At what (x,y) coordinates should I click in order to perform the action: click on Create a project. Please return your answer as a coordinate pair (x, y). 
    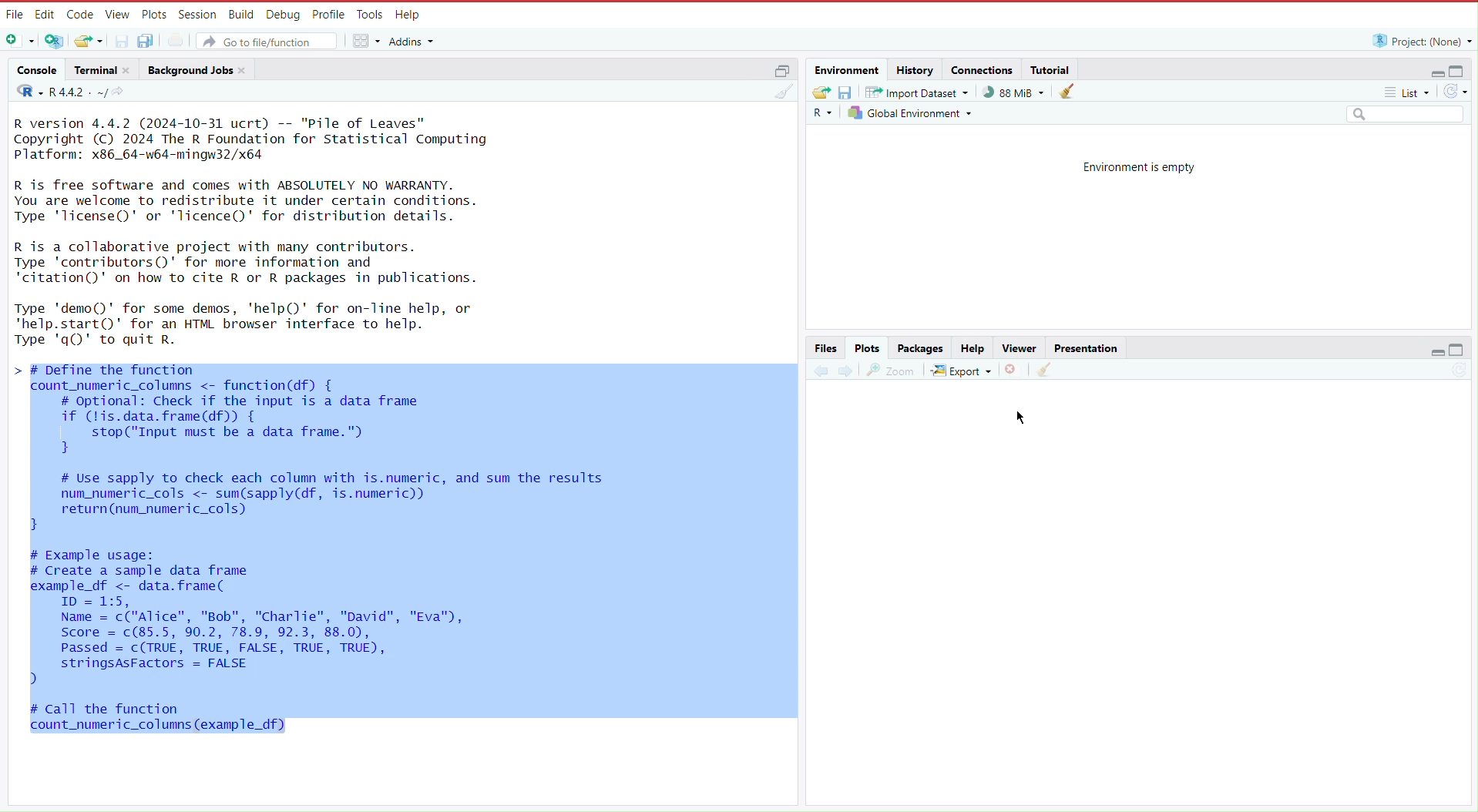
    Looking at the image, I should click on (56, 40).